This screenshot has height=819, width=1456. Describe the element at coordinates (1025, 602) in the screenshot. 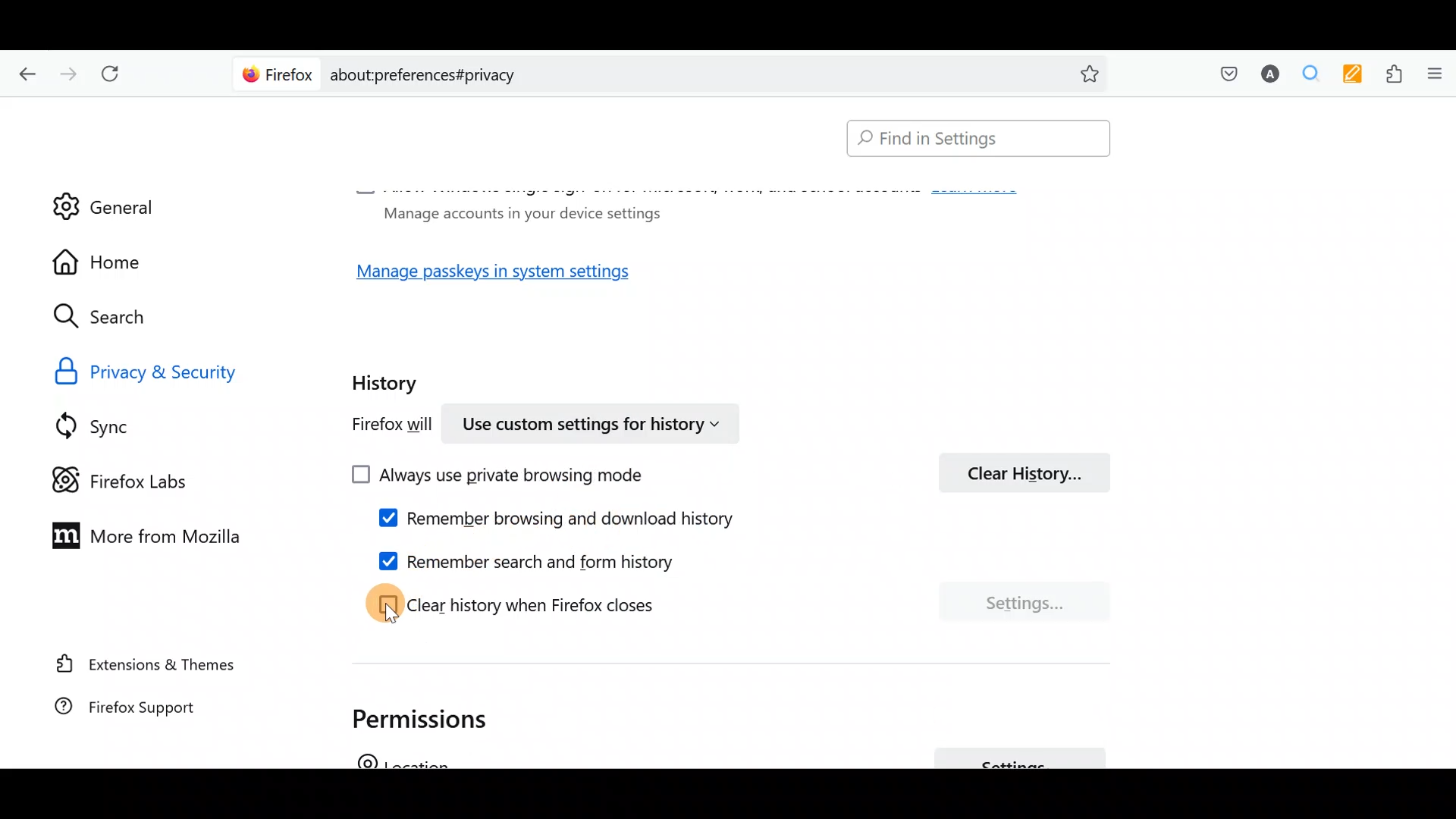

I see `Settings` at that location.